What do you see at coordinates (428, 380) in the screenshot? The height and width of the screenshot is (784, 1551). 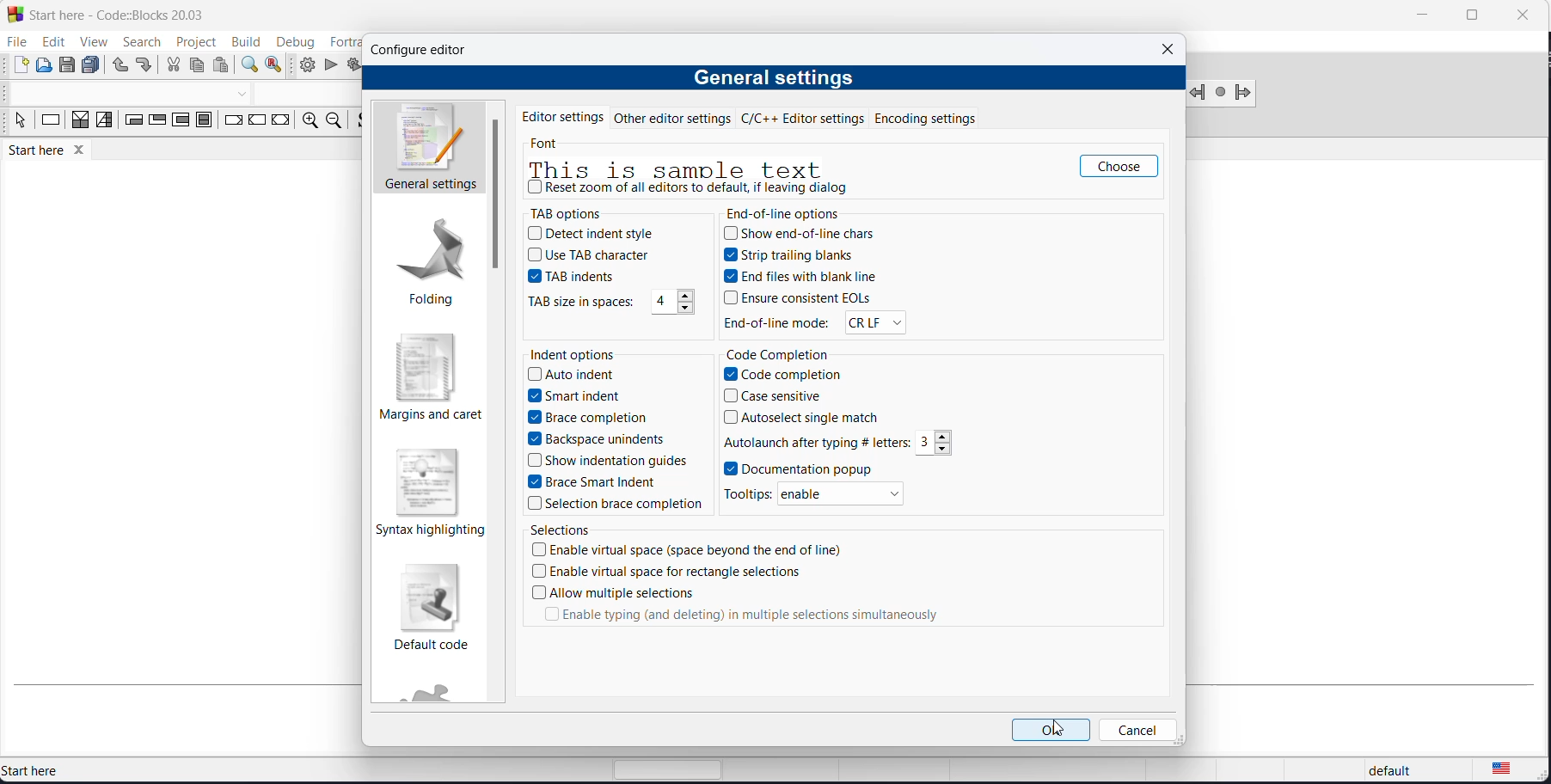 I see `margins and caret` at bounding box center [428, 380].